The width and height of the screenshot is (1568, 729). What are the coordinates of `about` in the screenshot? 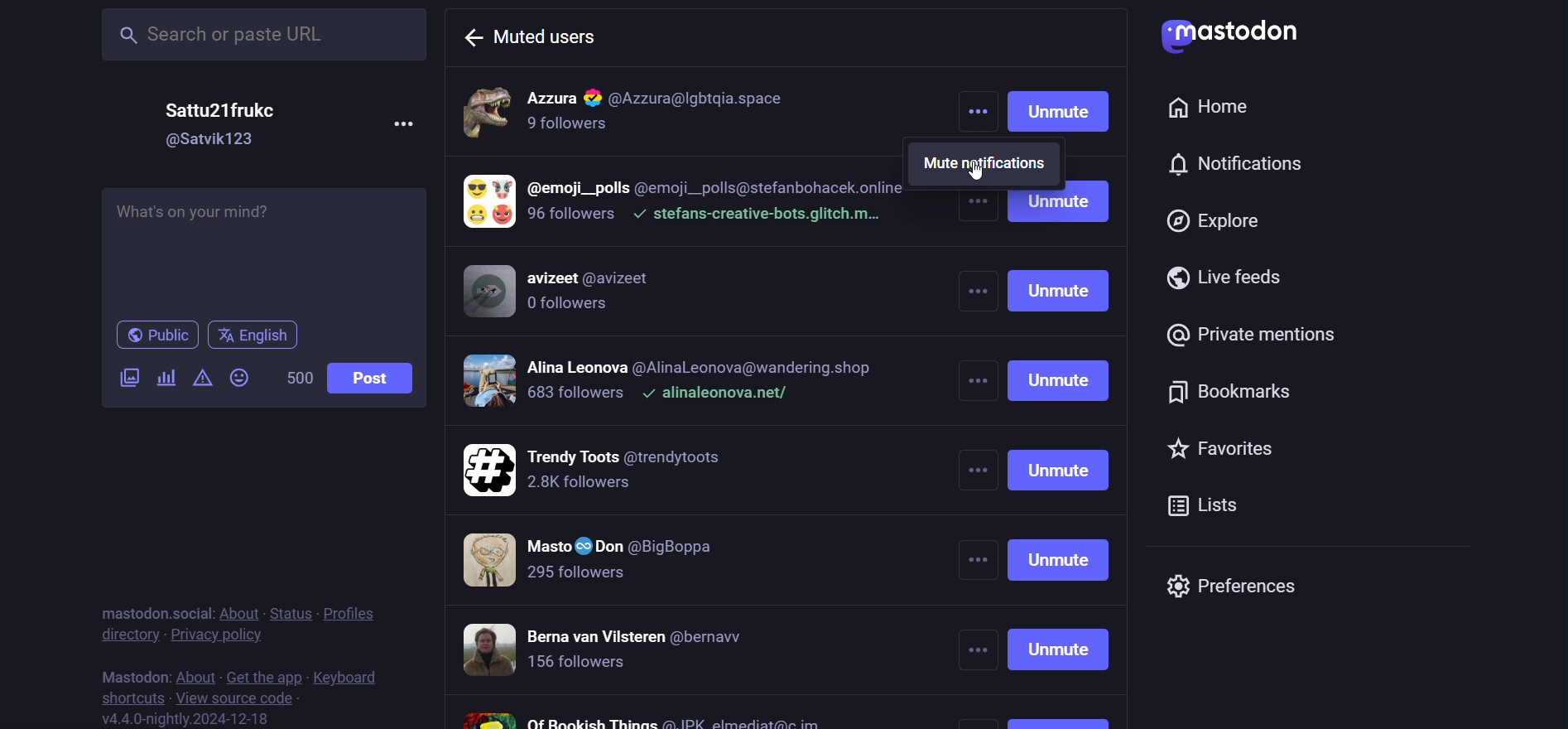 It's located at (194, 671).